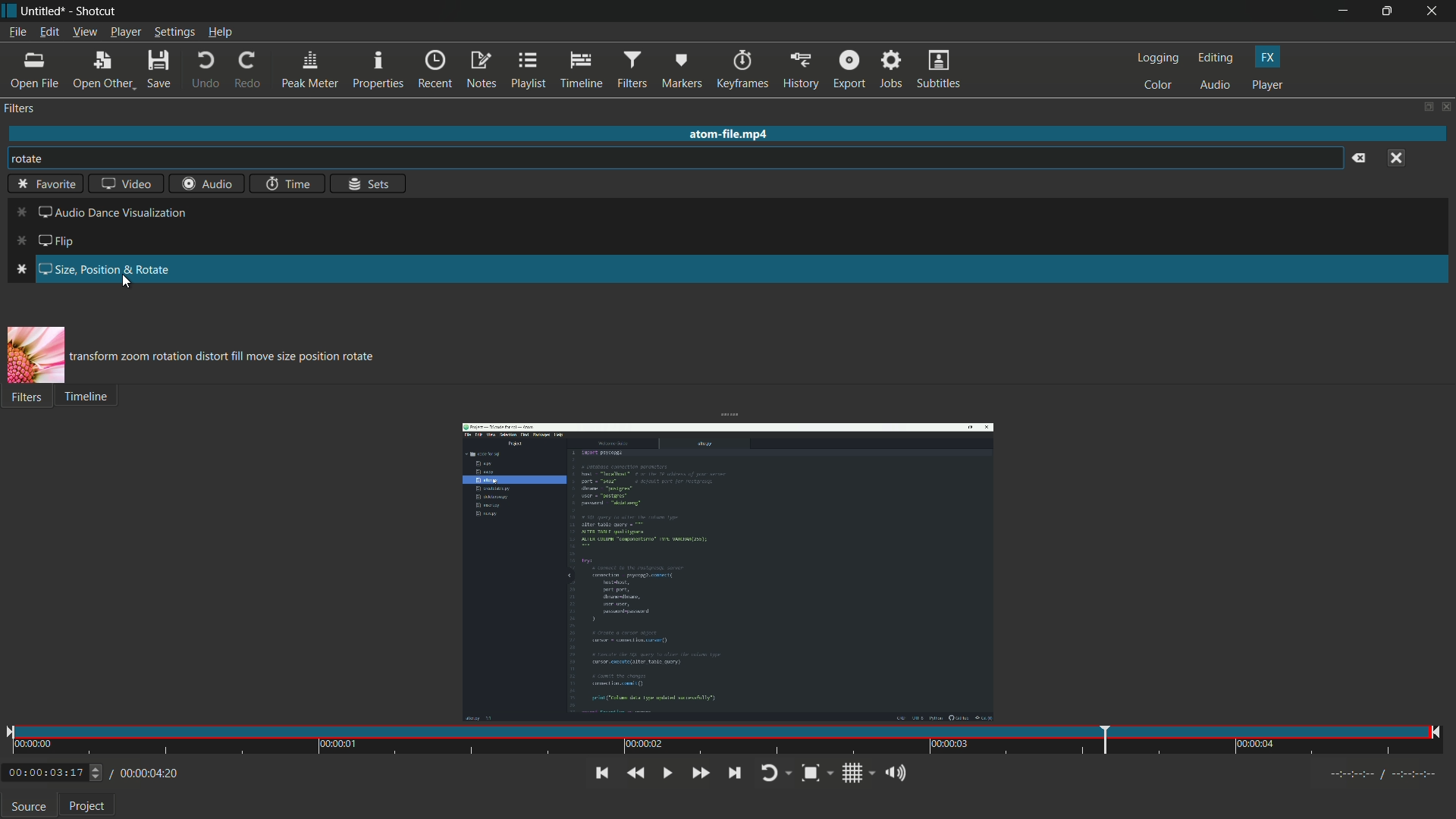 This screenshot has height=819, width=1456. Describe the element at coordinates (84, 33) in the screenshot. I see `view menu` at that location.